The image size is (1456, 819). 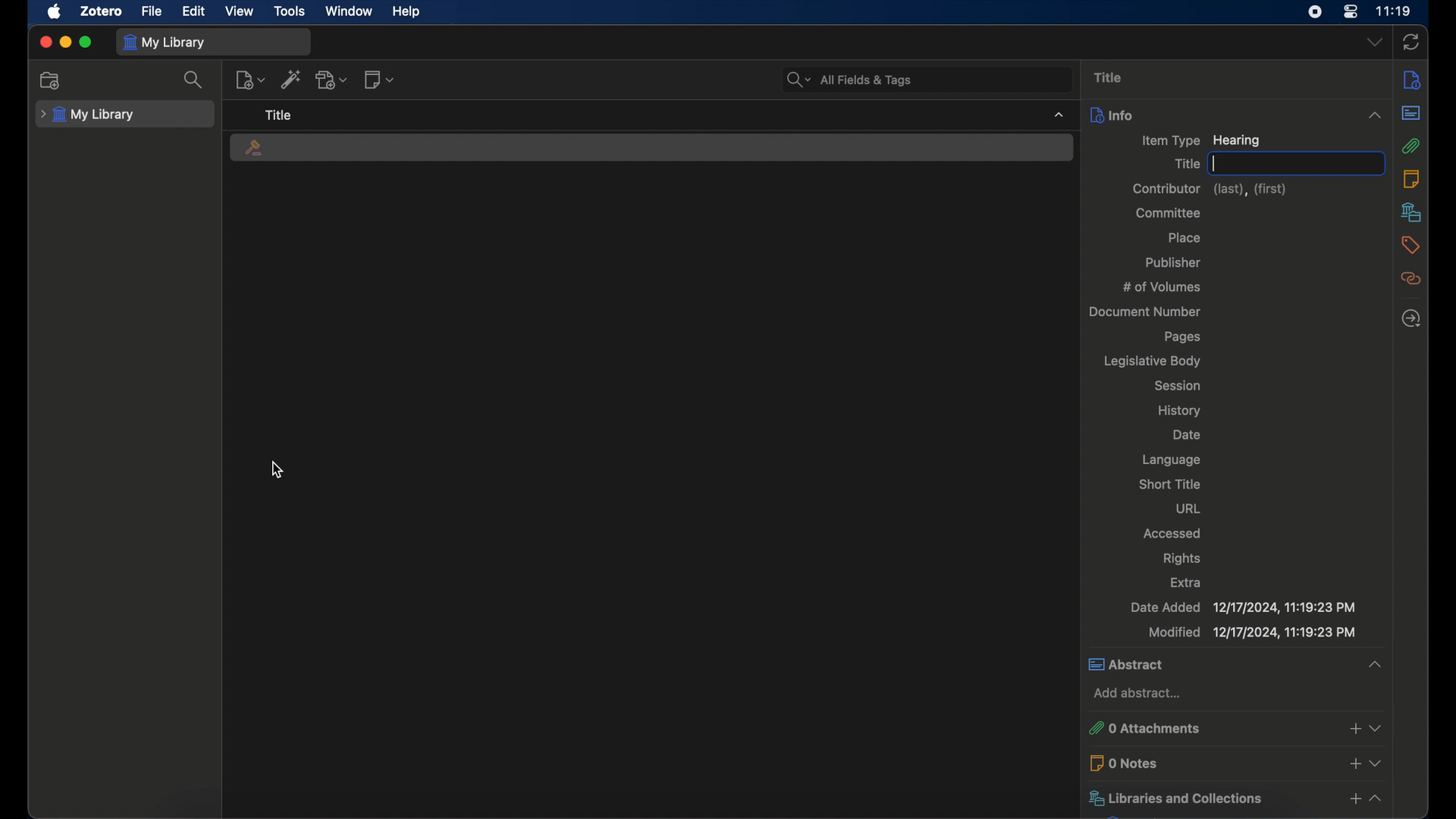 I want to click on pages, so click(x=1184, y=337).